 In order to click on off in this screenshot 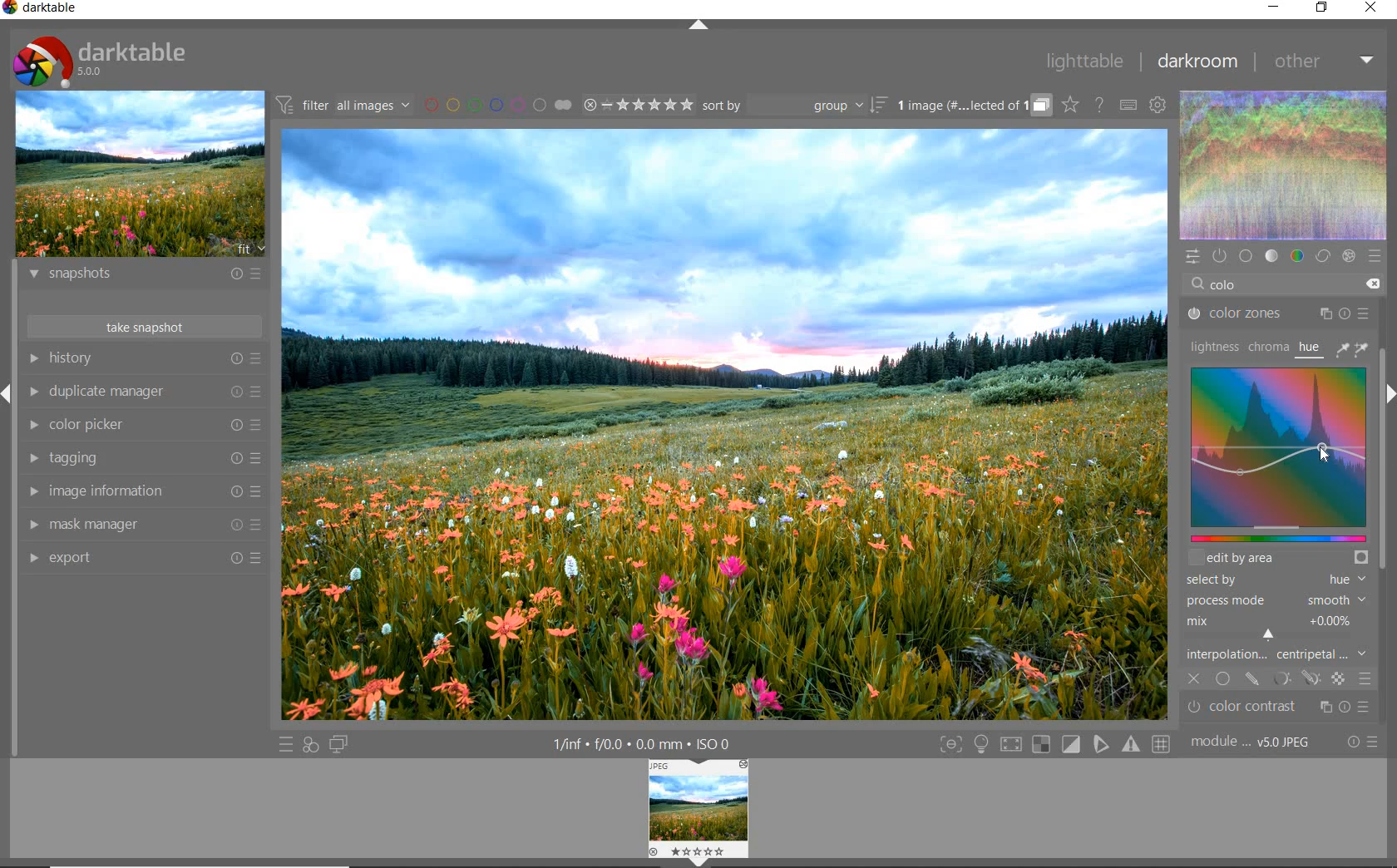, I will do `click(1195, 677)`.